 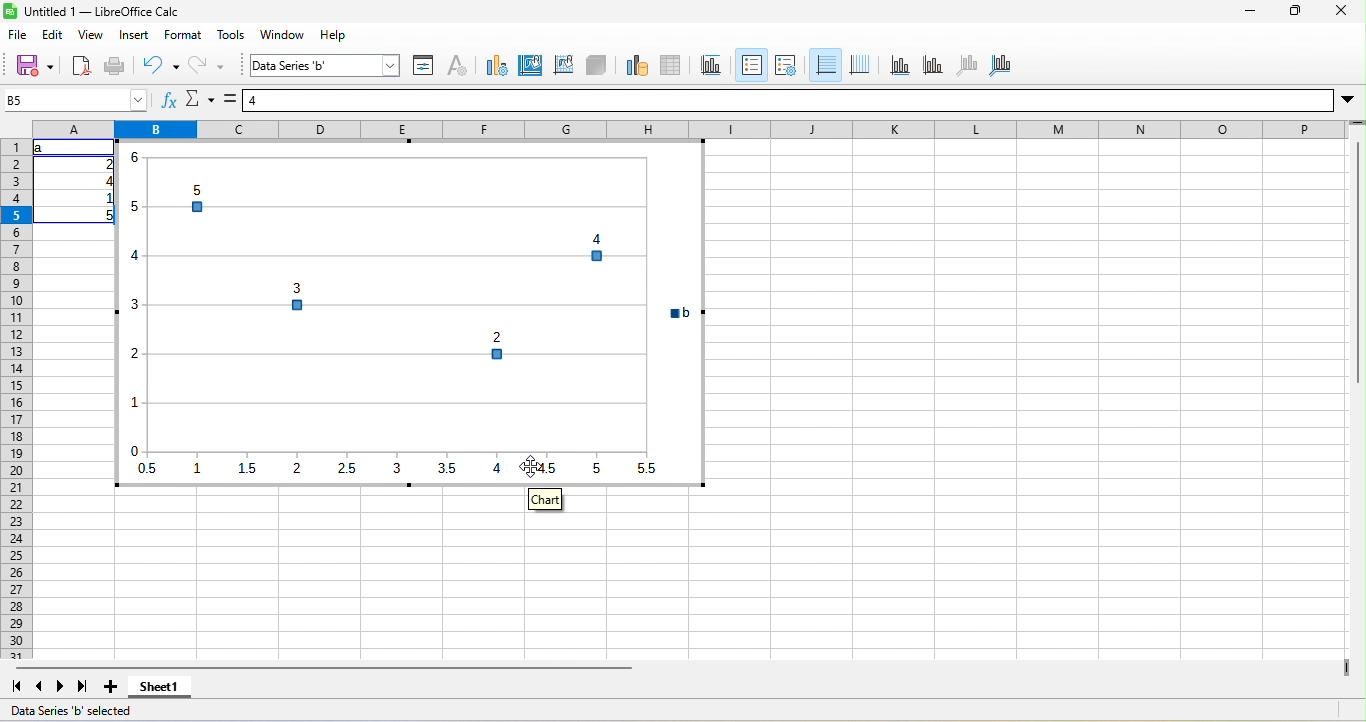 What do you see at coordinates (786, 67) in the screenshot?
I see `legend` at bounding box center [786, 67].